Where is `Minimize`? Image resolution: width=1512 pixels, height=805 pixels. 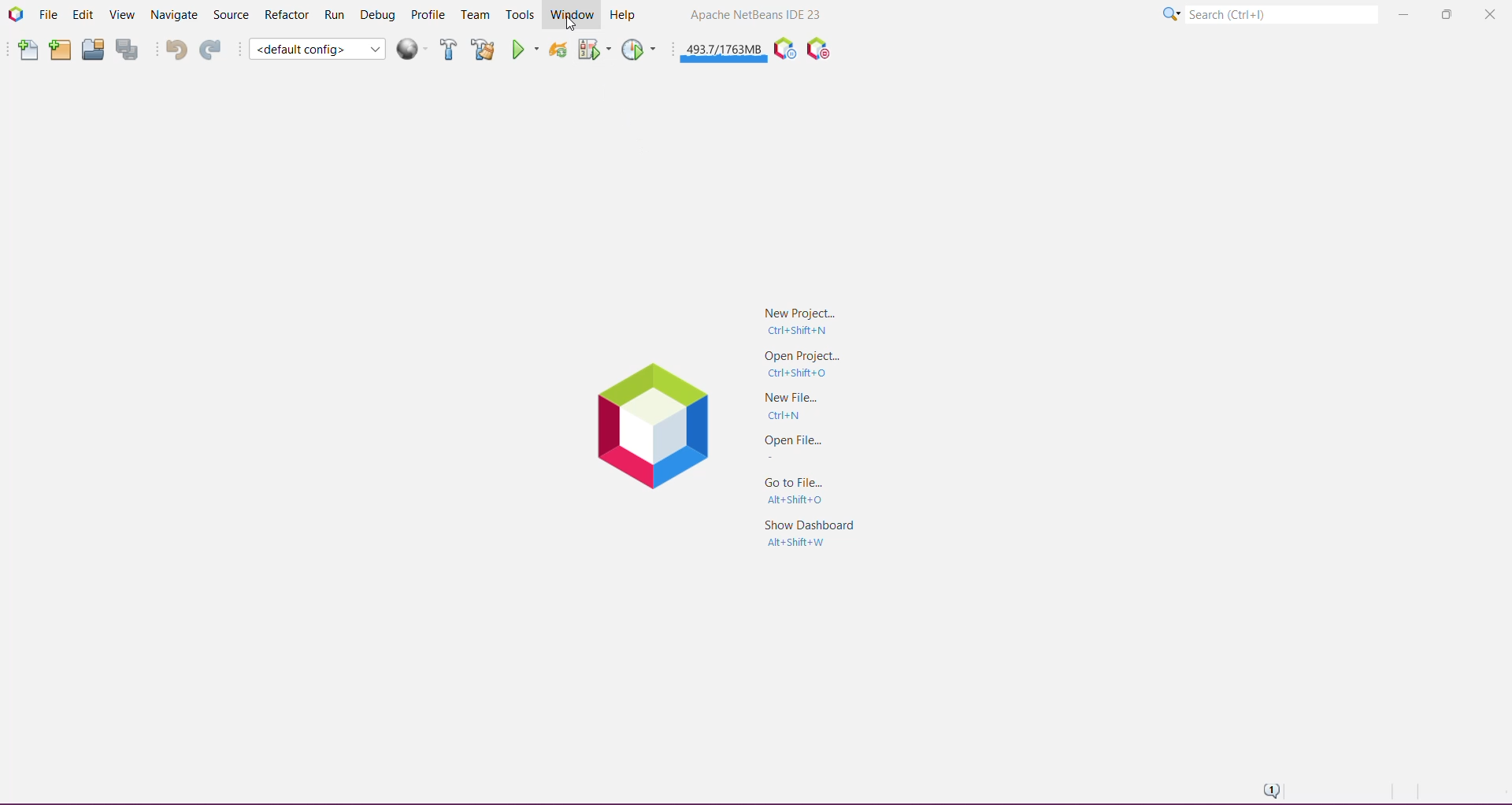 Minimize is located at coordinates (1403, 16).